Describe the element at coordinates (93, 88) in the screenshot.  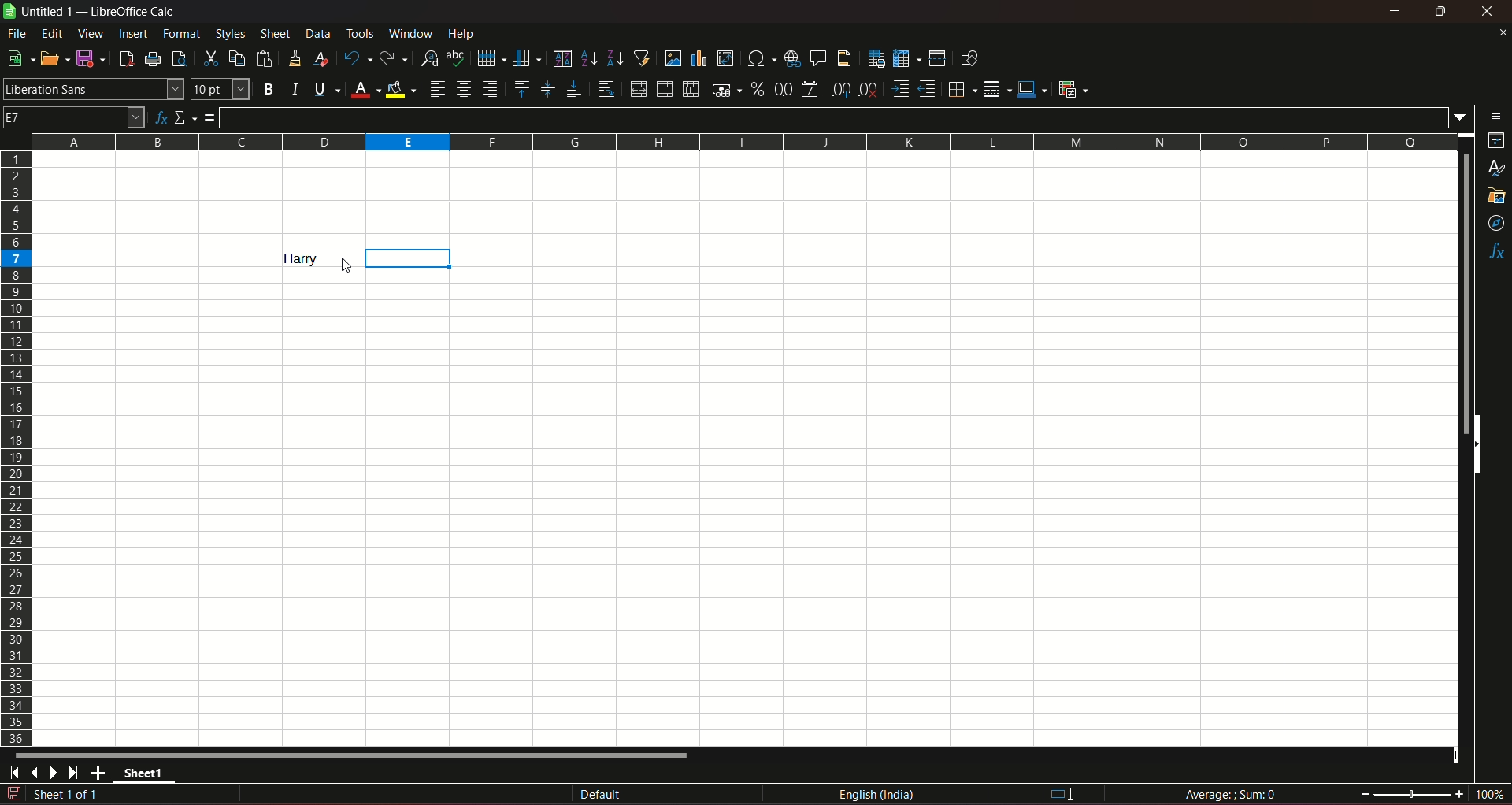
I see `font name` at that location.